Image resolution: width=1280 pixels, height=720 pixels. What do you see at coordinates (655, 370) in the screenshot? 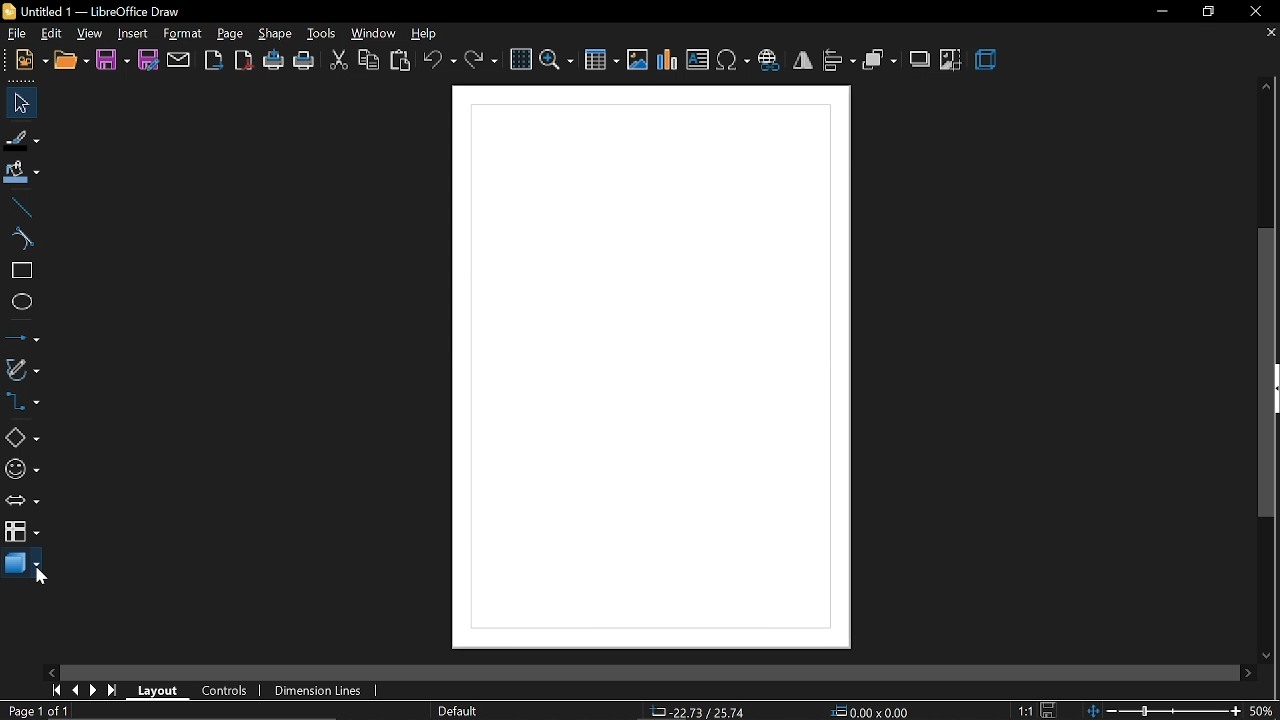
I see `Diagram` at bounding box center [655, 370].